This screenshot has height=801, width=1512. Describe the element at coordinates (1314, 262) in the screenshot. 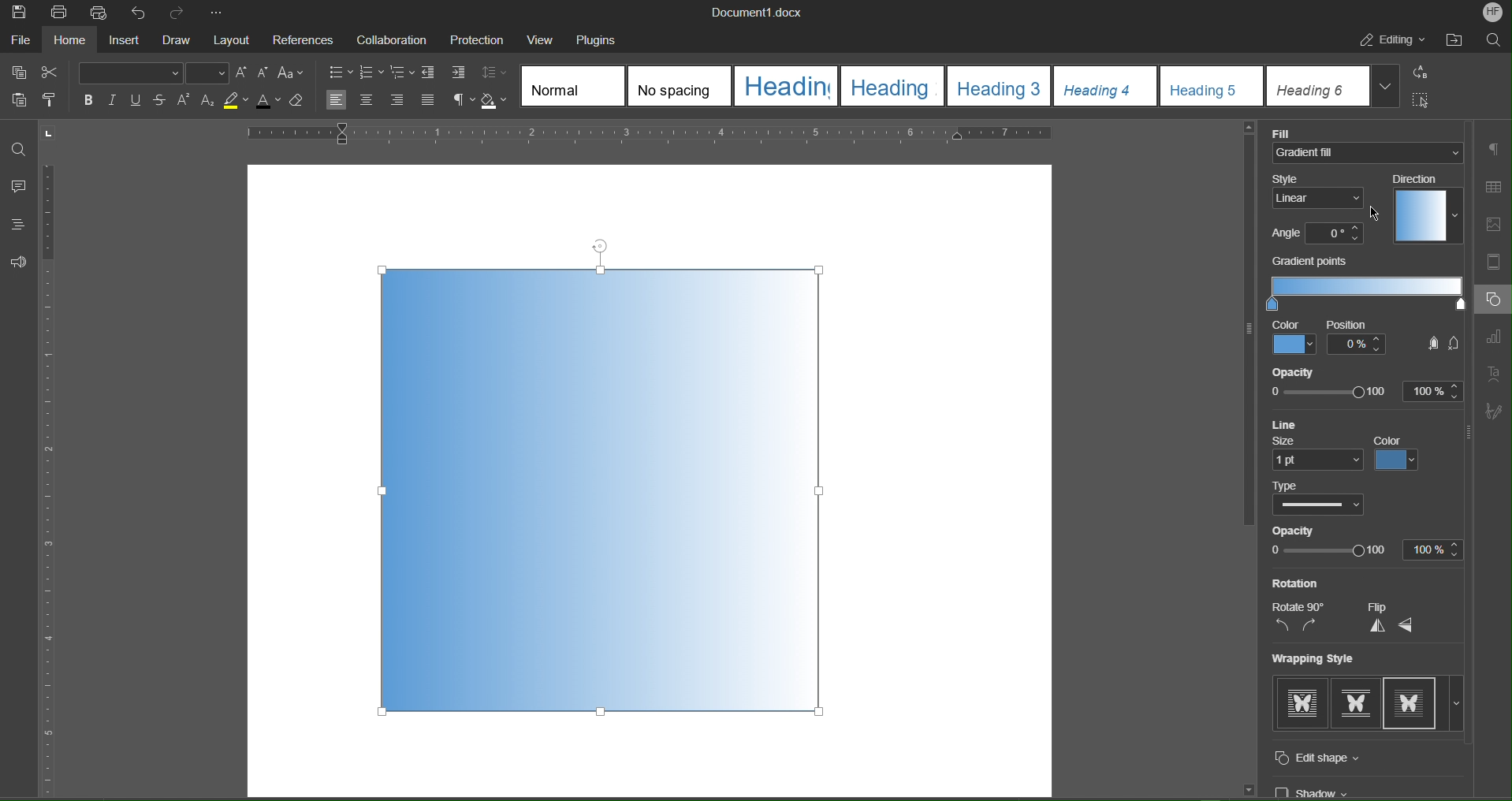

I see `Gradient Points` at that location.